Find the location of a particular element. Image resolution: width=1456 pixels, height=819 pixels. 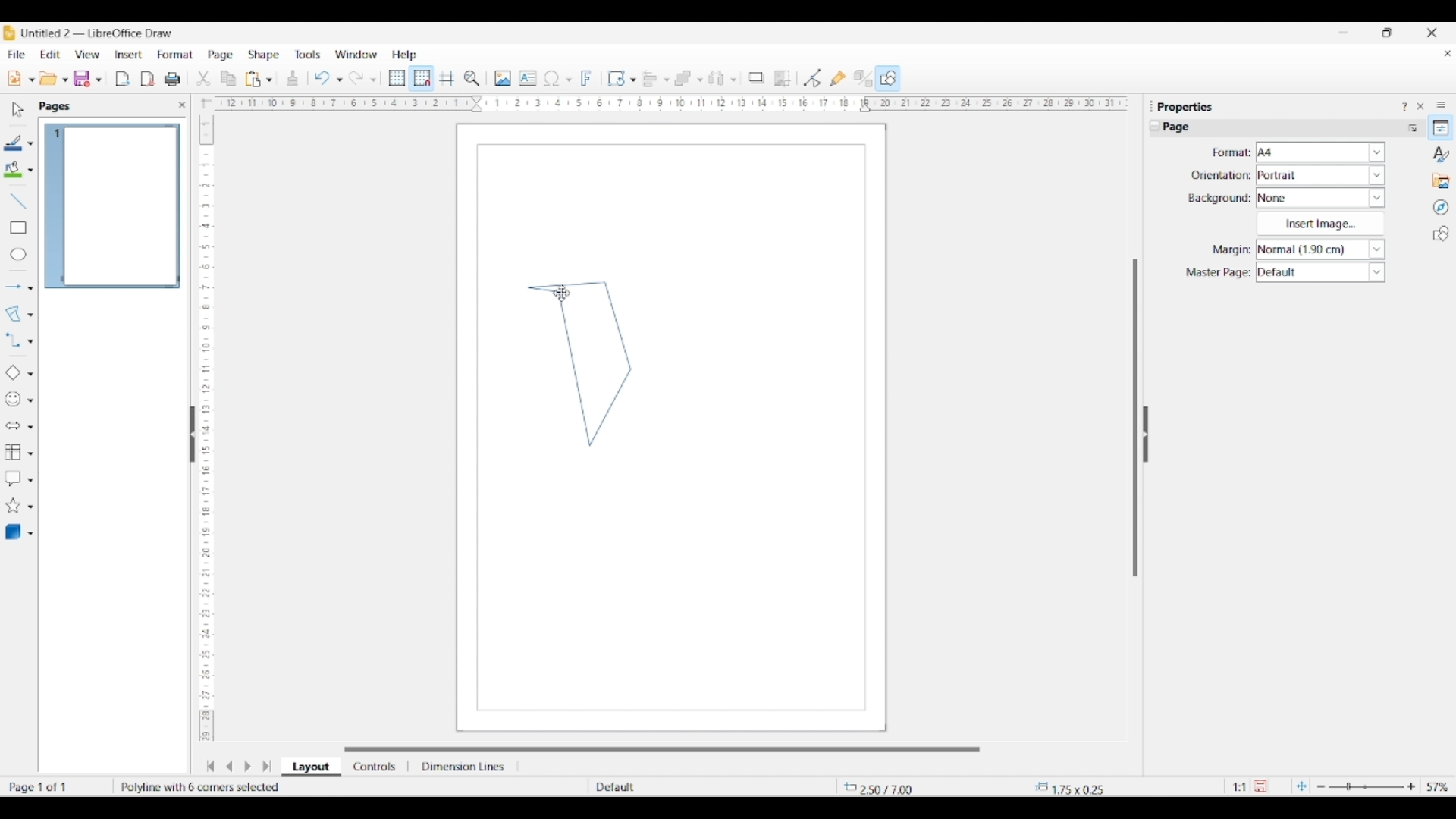

Show gluepoint options is located at coordinates (837, 78).